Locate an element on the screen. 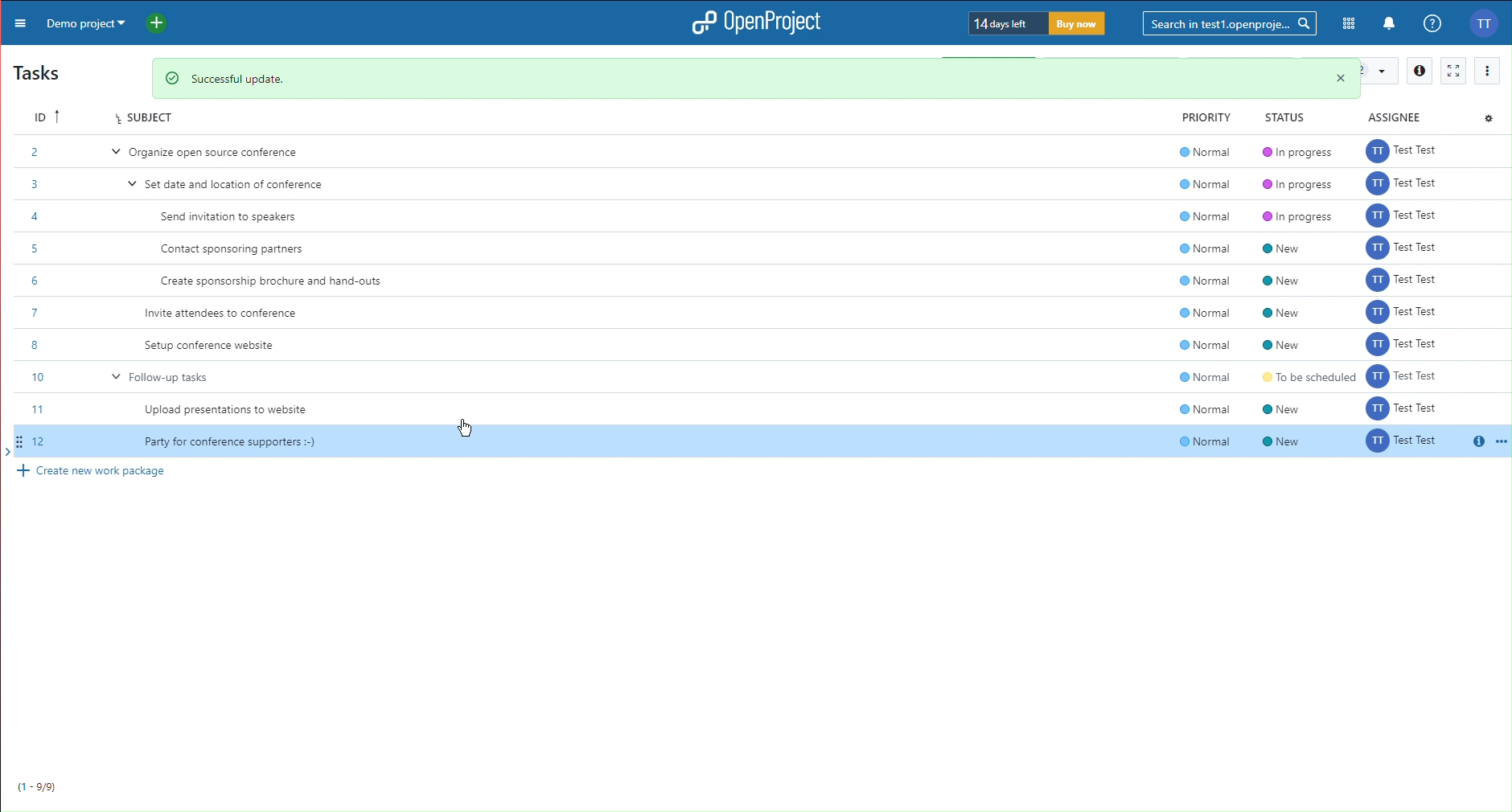 The image size is (1512, 812). info is located at coordinates (1419, 71).